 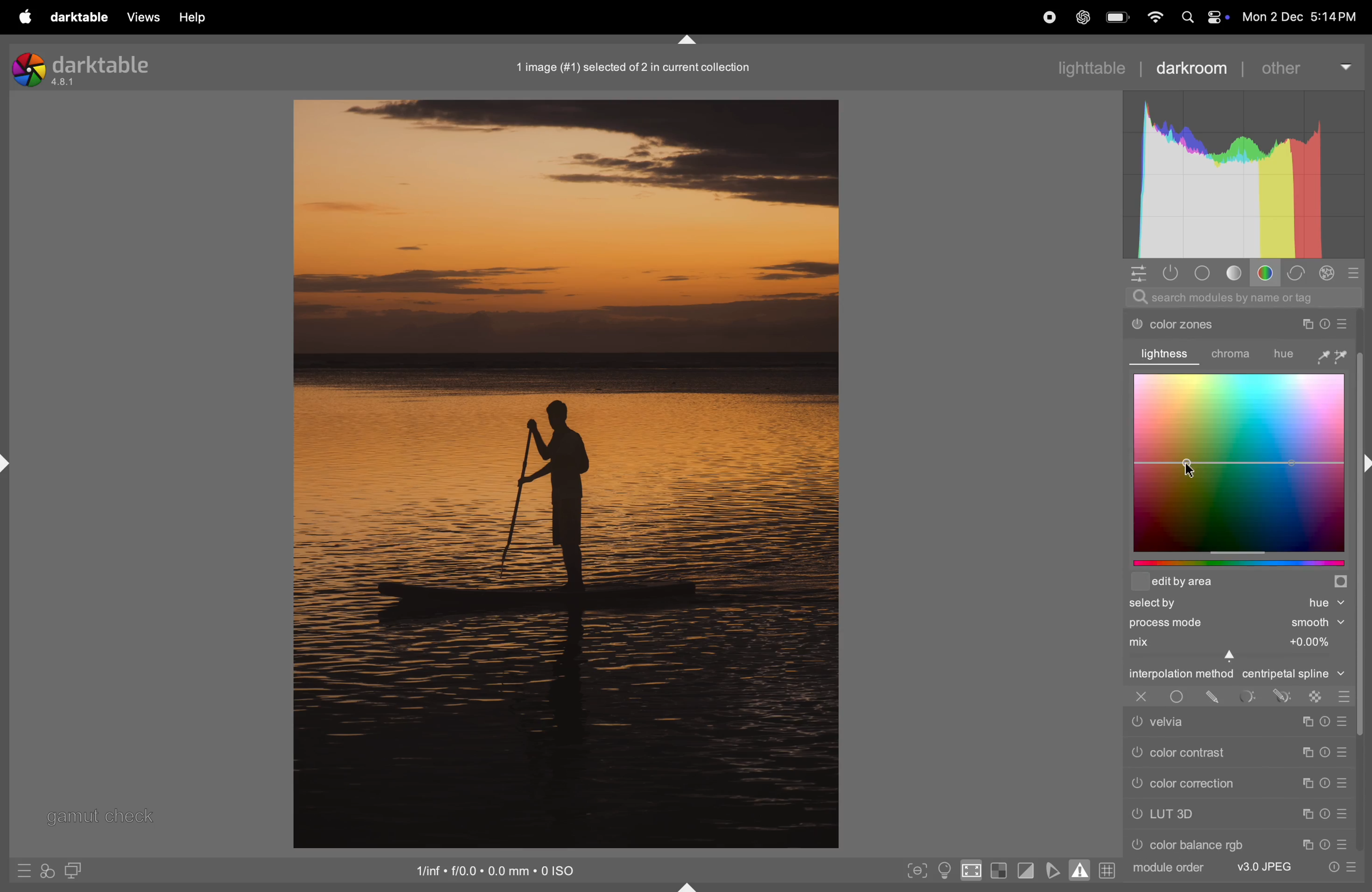 What do you see at coordinates (1049, 20) in the screenshot?
I see `record` at bounding box center [1049, 20].